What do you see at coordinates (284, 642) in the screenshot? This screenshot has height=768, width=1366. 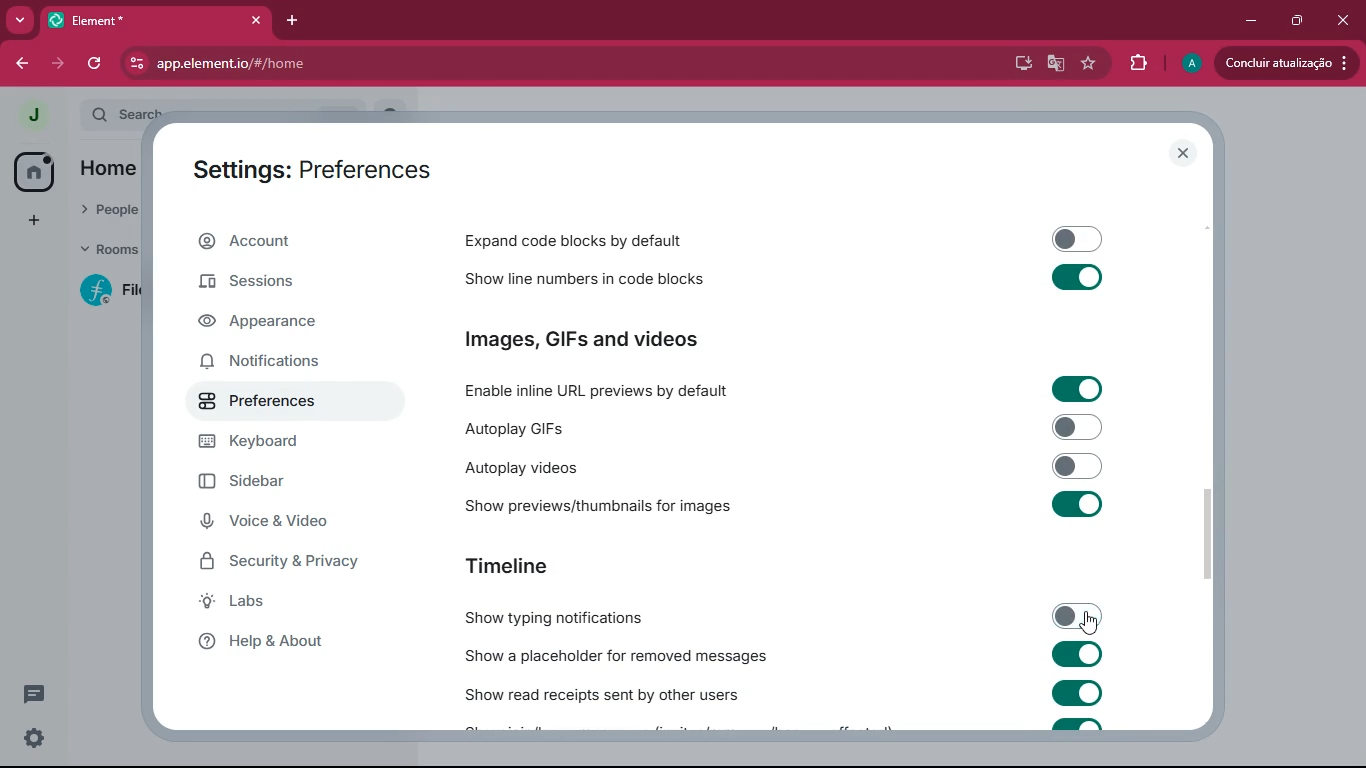 I see `help & about` at bounding box center [284, 642].